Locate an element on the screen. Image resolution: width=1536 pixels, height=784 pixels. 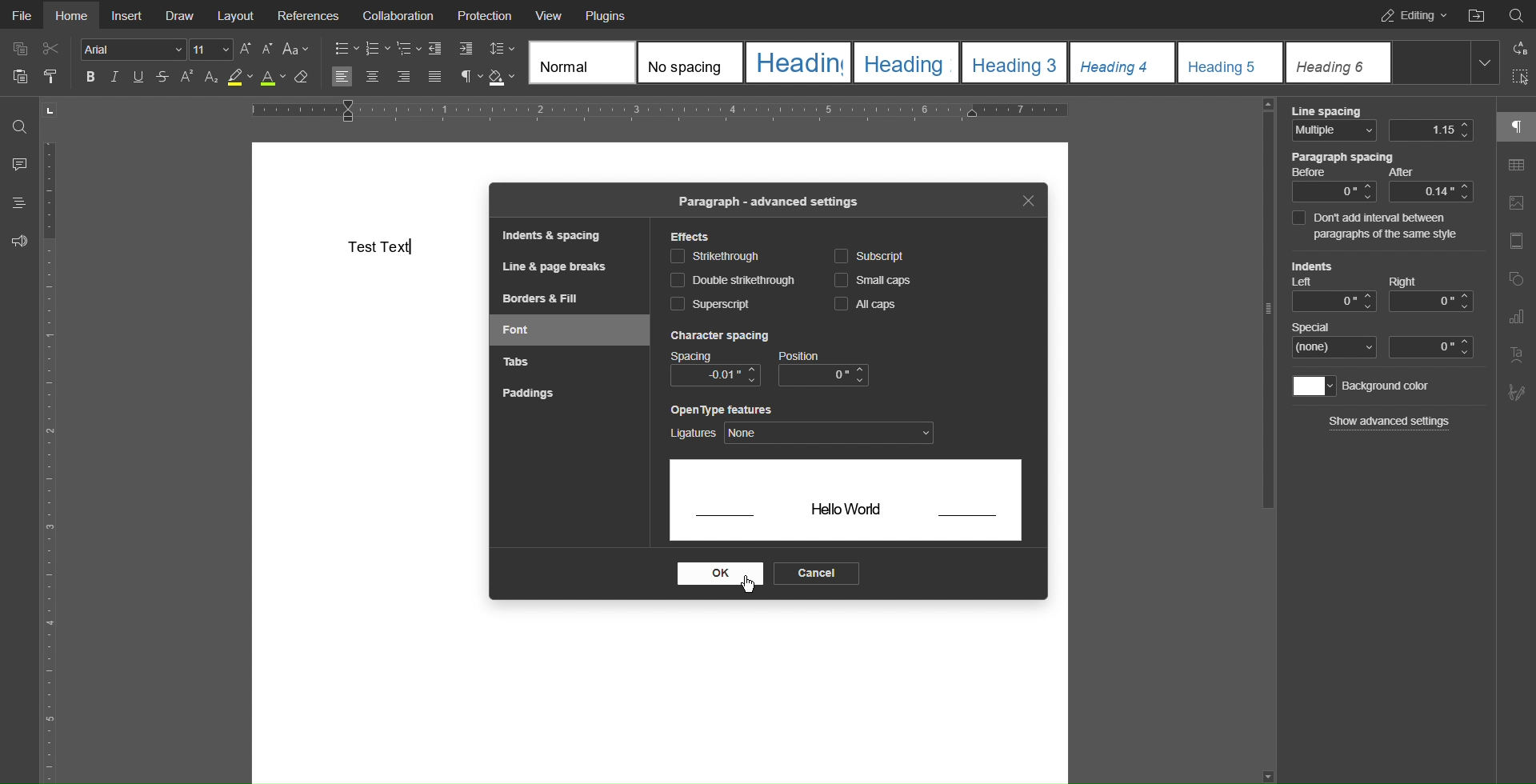
Header and Footer Settings is located at coordinates (1514, 243).